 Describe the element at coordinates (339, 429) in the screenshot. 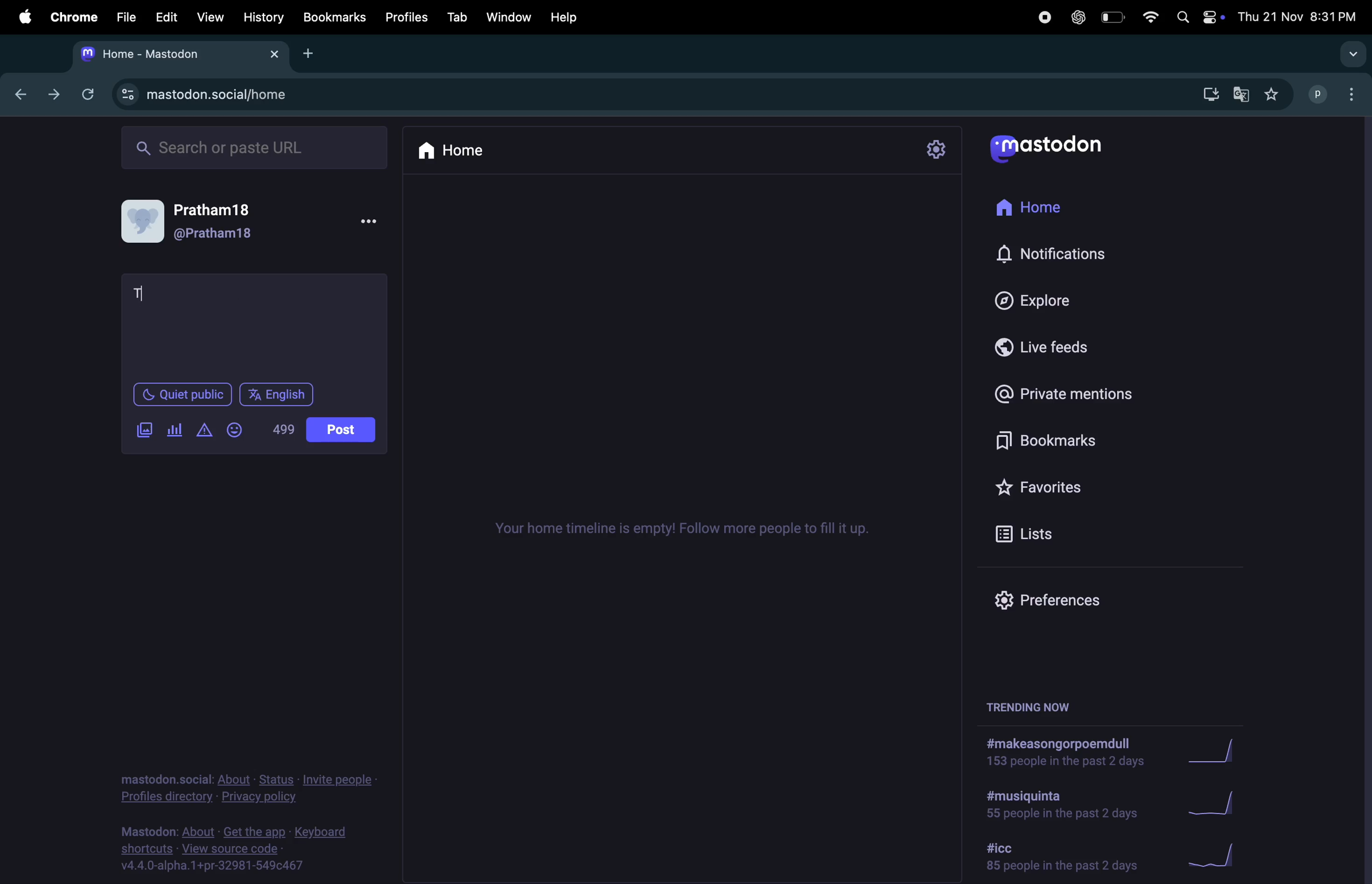

I see `post` at that location.